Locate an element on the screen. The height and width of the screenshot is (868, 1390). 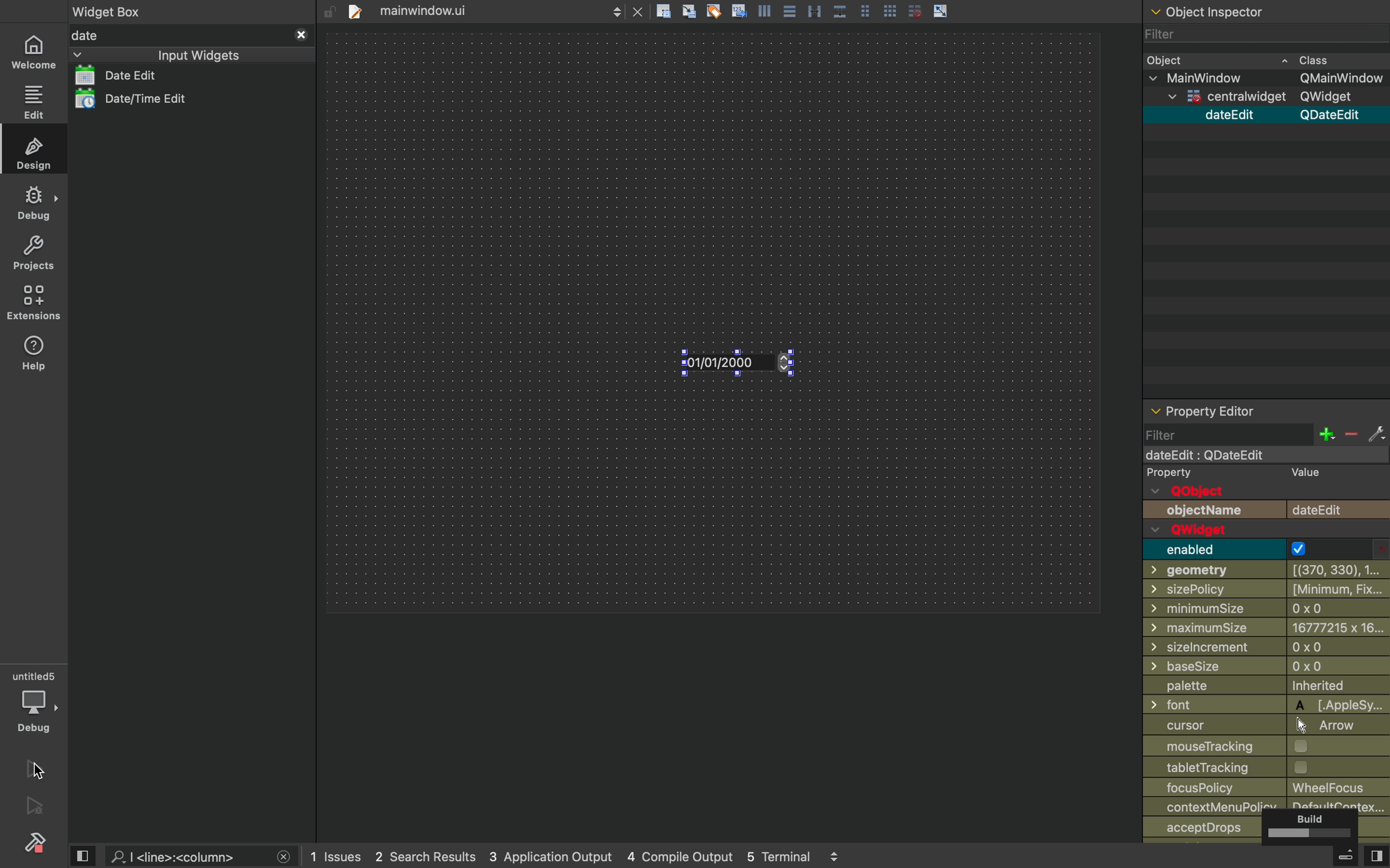
close is located at coordinates (638, 10).